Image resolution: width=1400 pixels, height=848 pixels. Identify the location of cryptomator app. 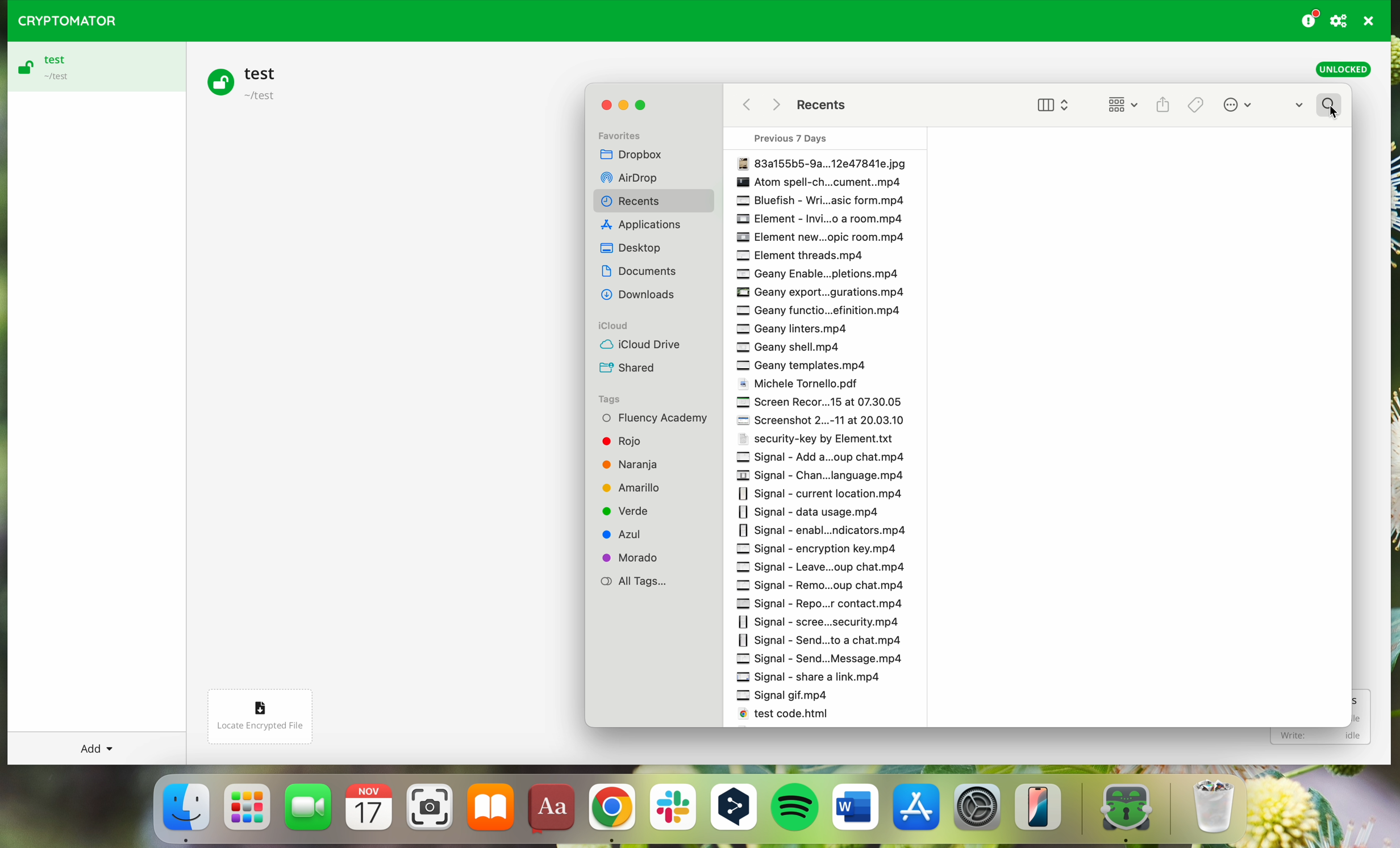
(1118, 811).